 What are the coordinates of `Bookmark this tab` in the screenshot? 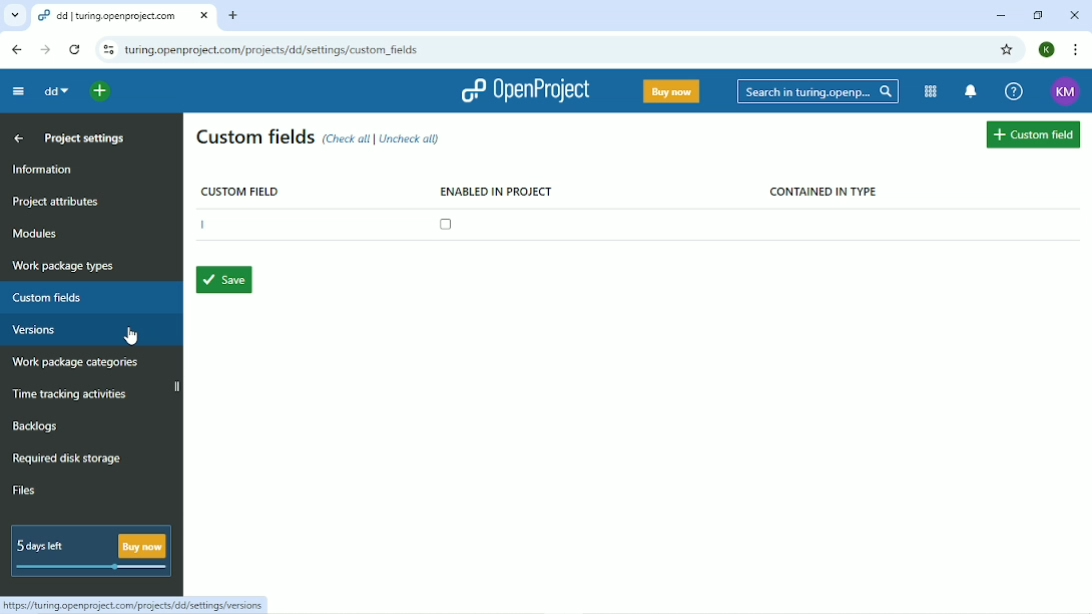 It's located at (1007, 49).